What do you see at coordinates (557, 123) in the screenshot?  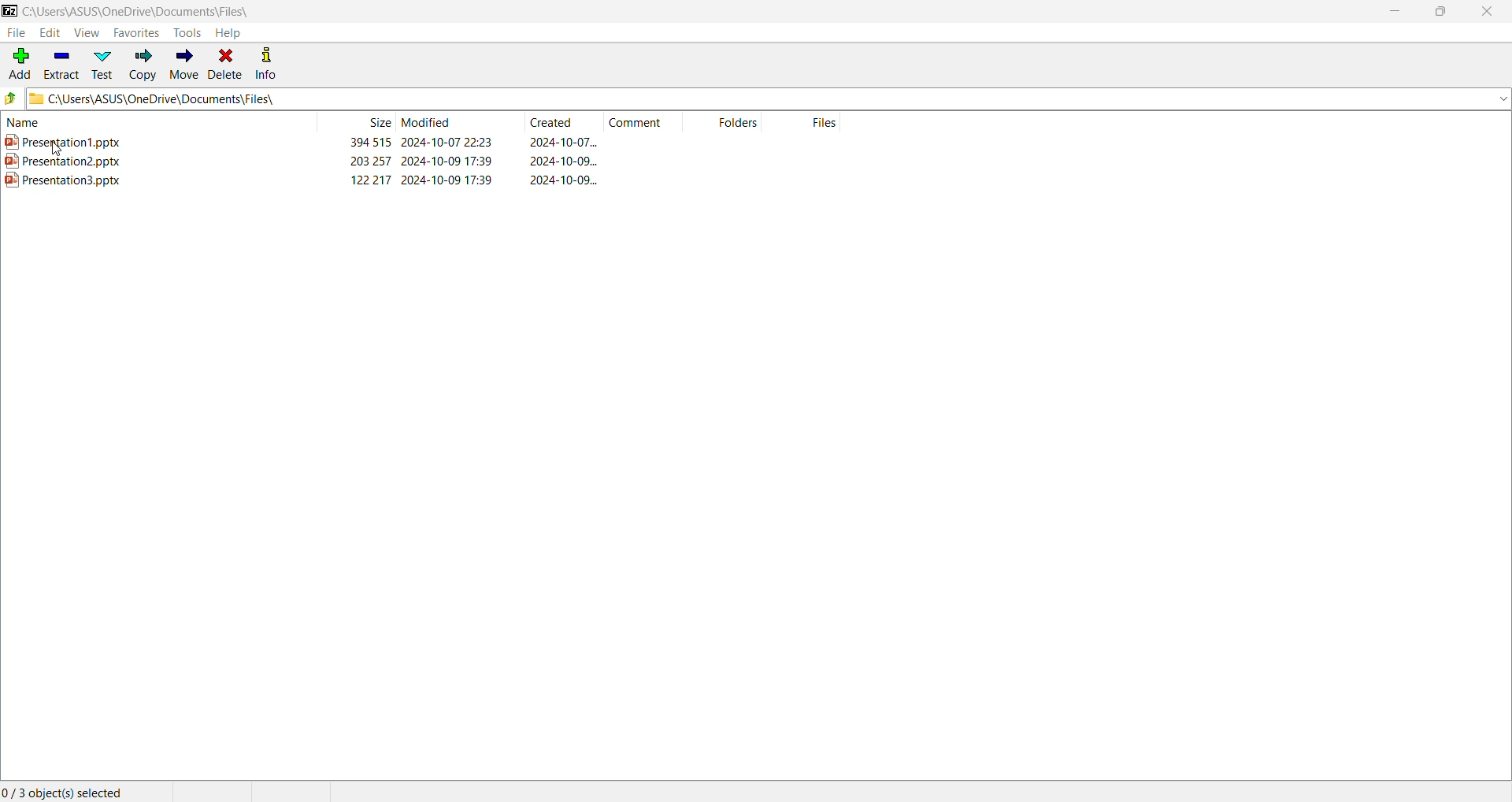 I see `Created` at bounding box center [557, 123].